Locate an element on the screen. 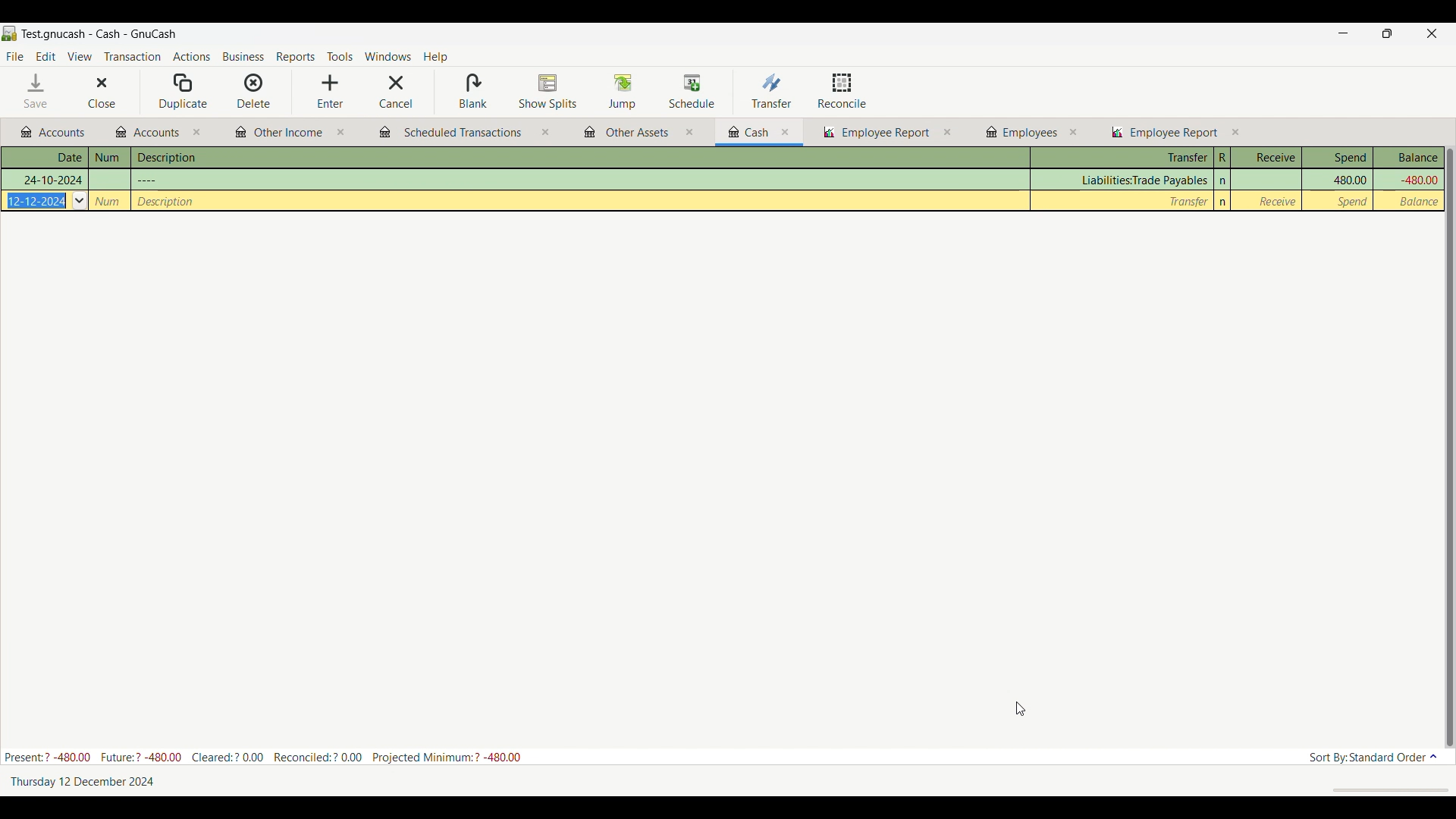  close is located at coordinates (340, 132).